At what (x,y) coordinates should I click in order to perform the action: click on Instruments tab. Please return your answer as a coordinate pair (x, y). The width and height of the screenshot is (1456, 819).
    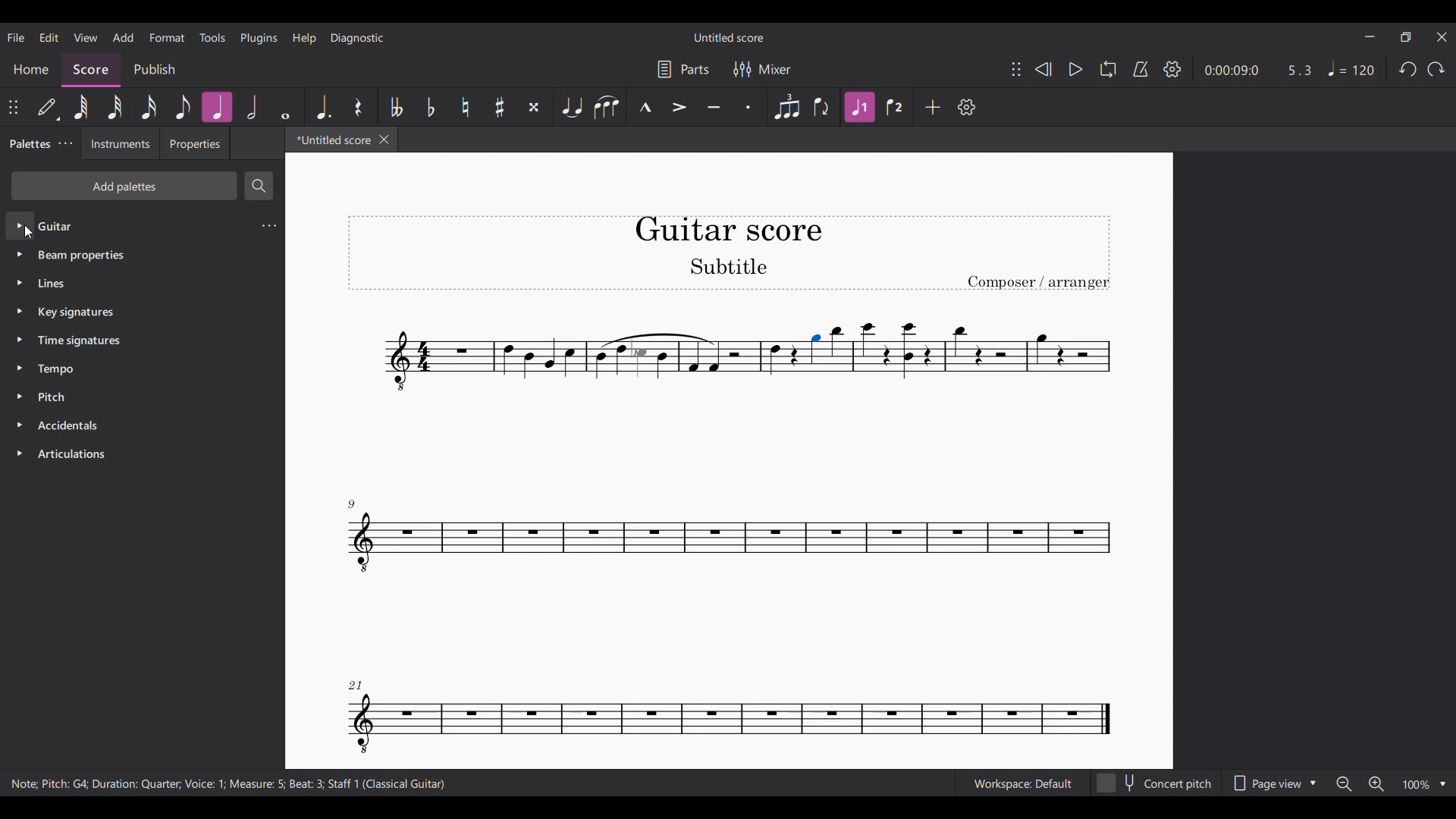
    Looking at the image, I should click on (120, 143).